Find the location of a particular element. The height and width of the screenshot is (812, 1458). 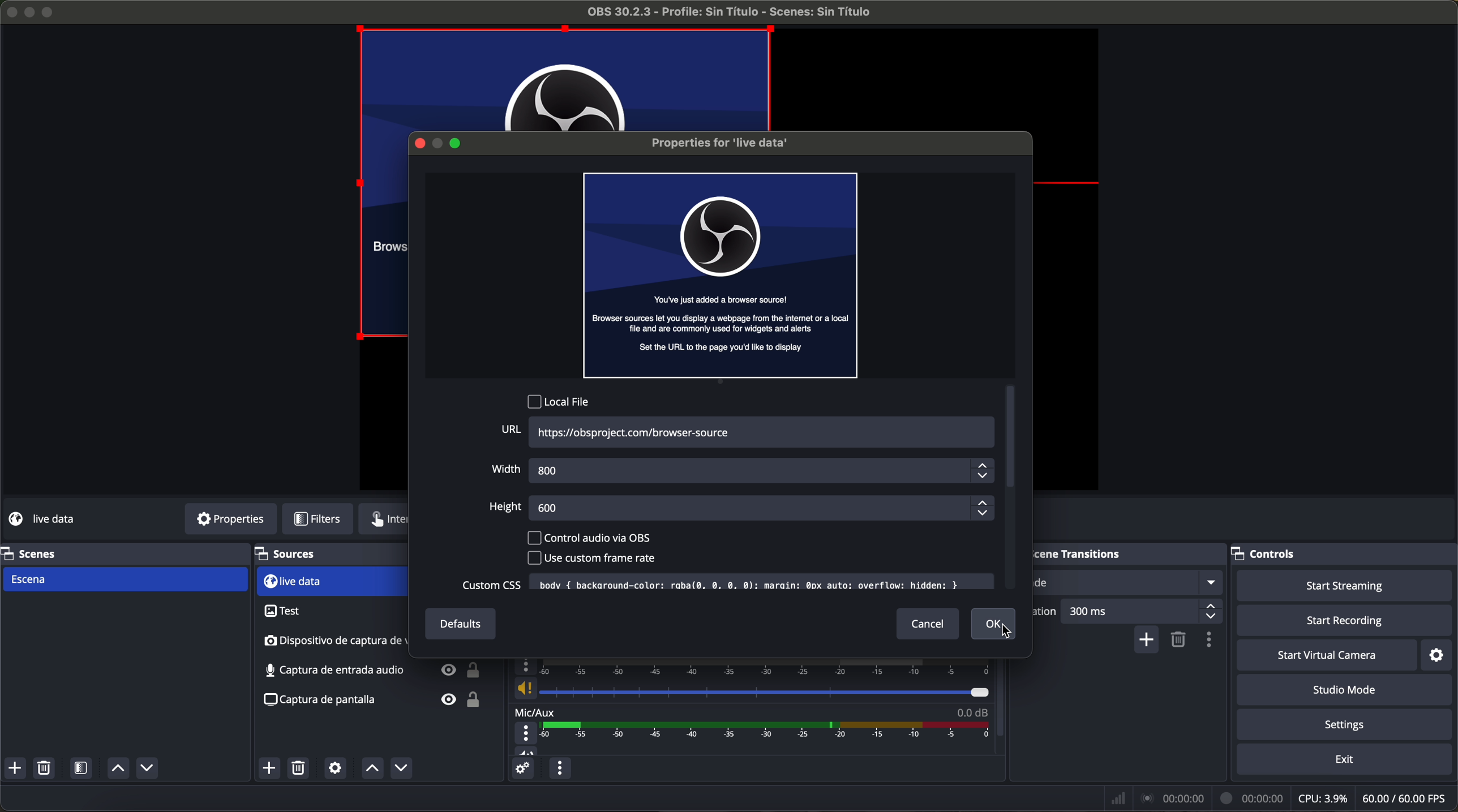

properties for live data is located at coordinates (720, 145).